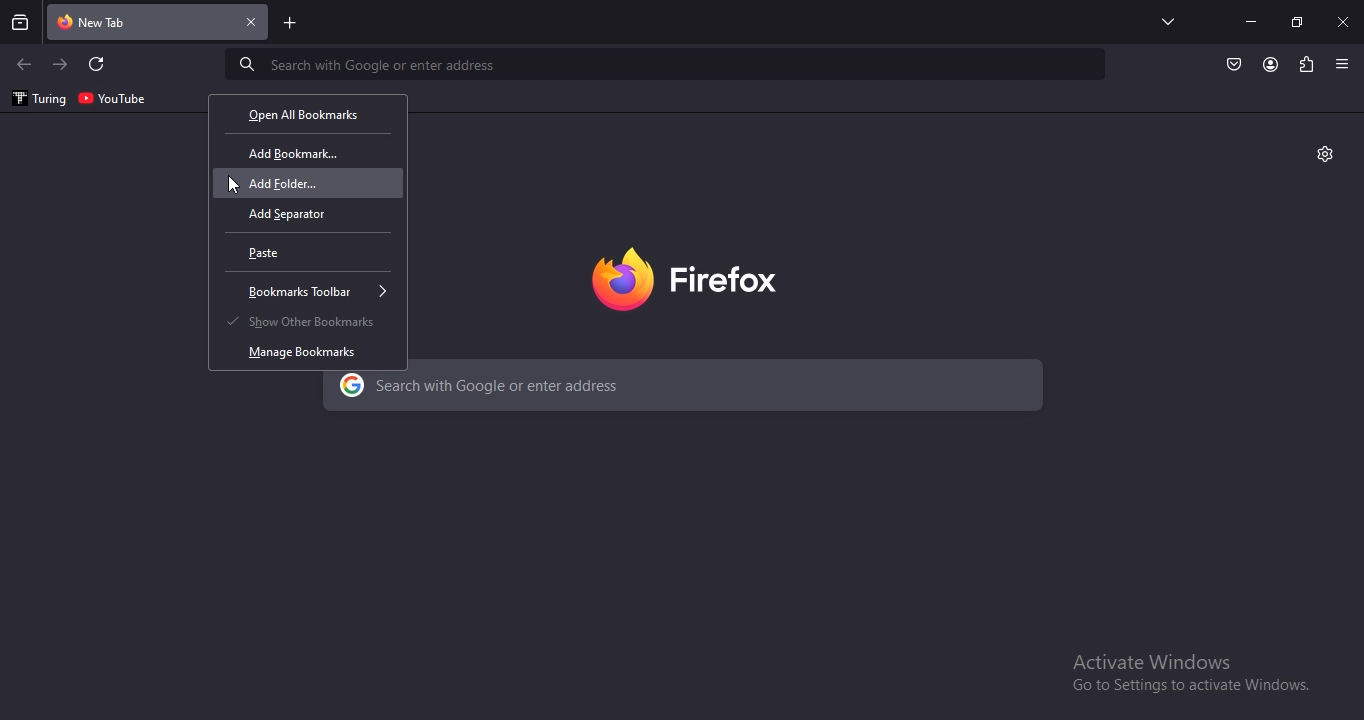 The width and height of the screenshot is (1364, 720). What do you see at coordinates (1269, 66) in the screenshot?
I see `account profile` at bounding box center [1269, 66].